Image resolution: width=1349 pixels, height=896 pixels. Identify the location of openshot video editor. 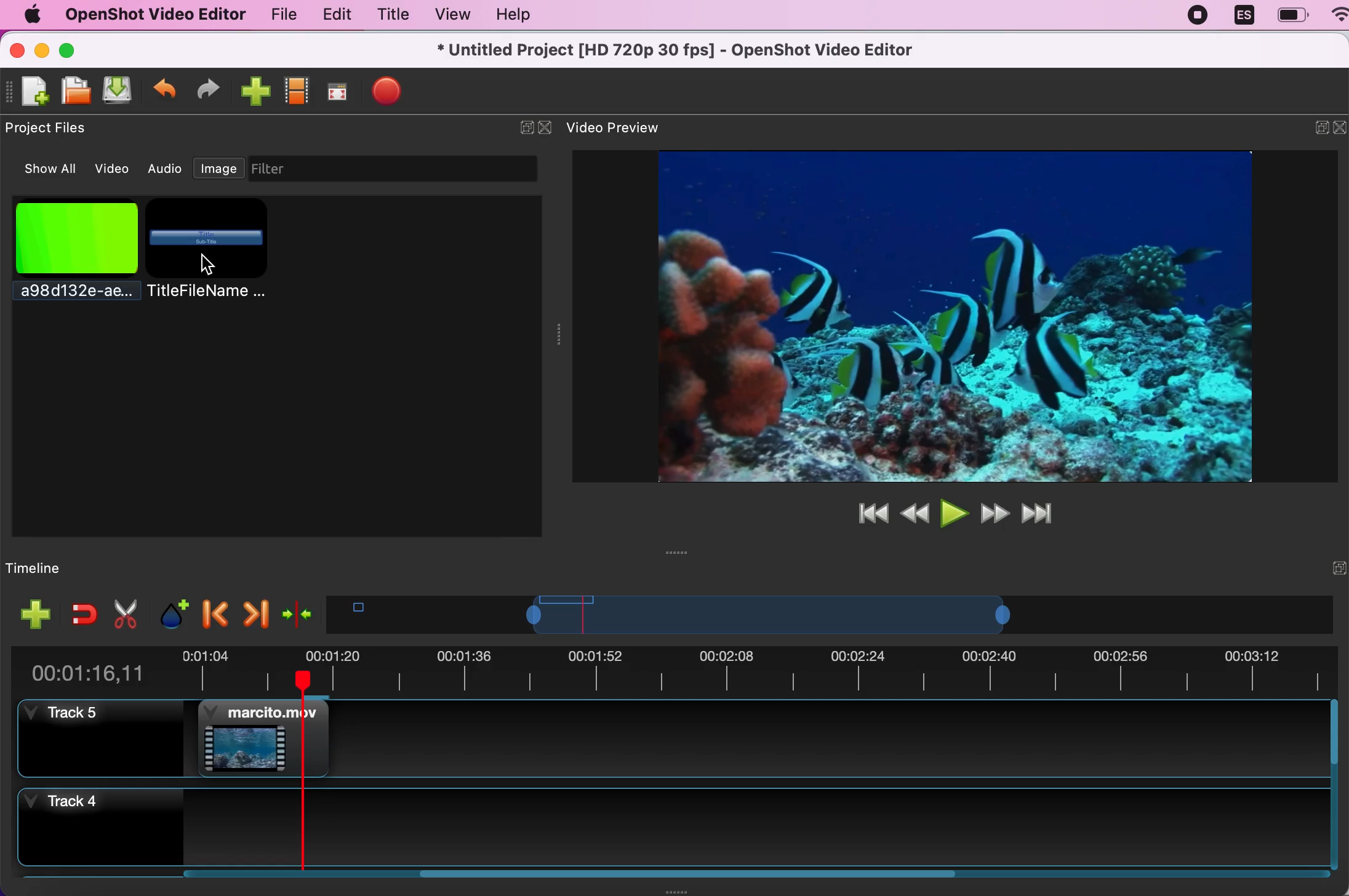
(154, 15).